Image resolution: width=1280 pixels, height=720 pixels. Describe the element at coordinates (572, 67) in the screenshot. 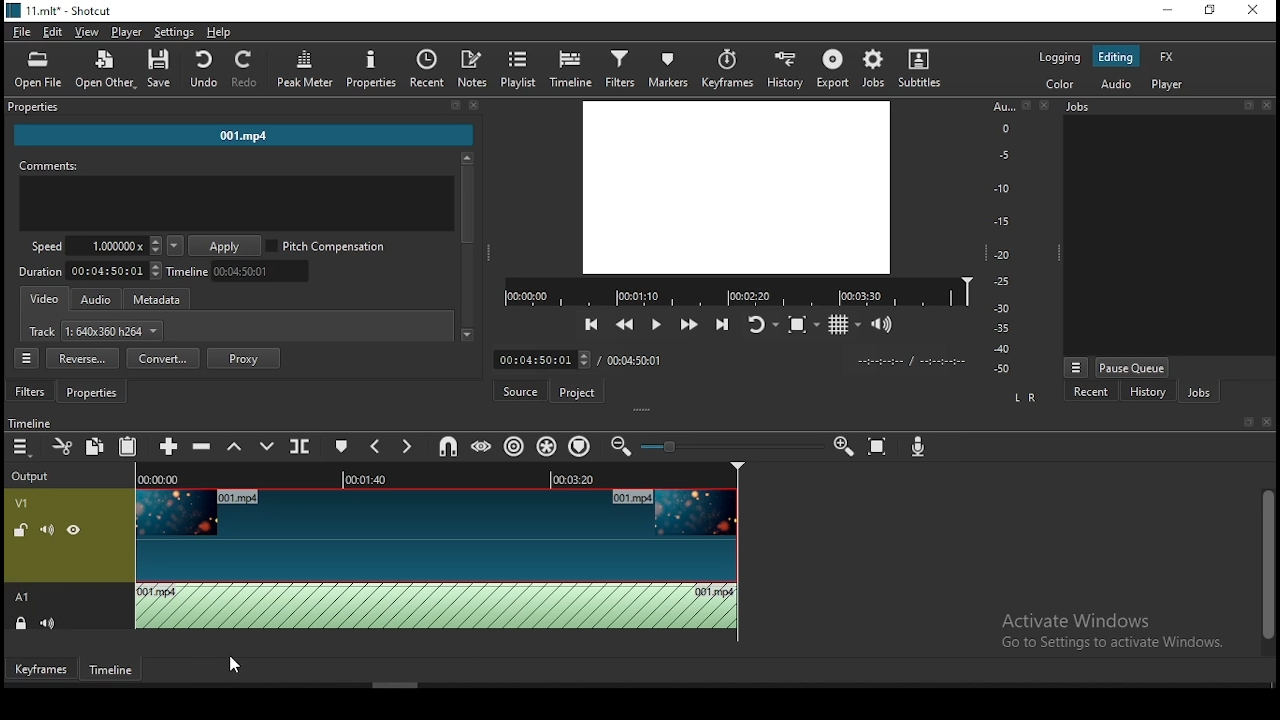

I see `timeline` at that location.